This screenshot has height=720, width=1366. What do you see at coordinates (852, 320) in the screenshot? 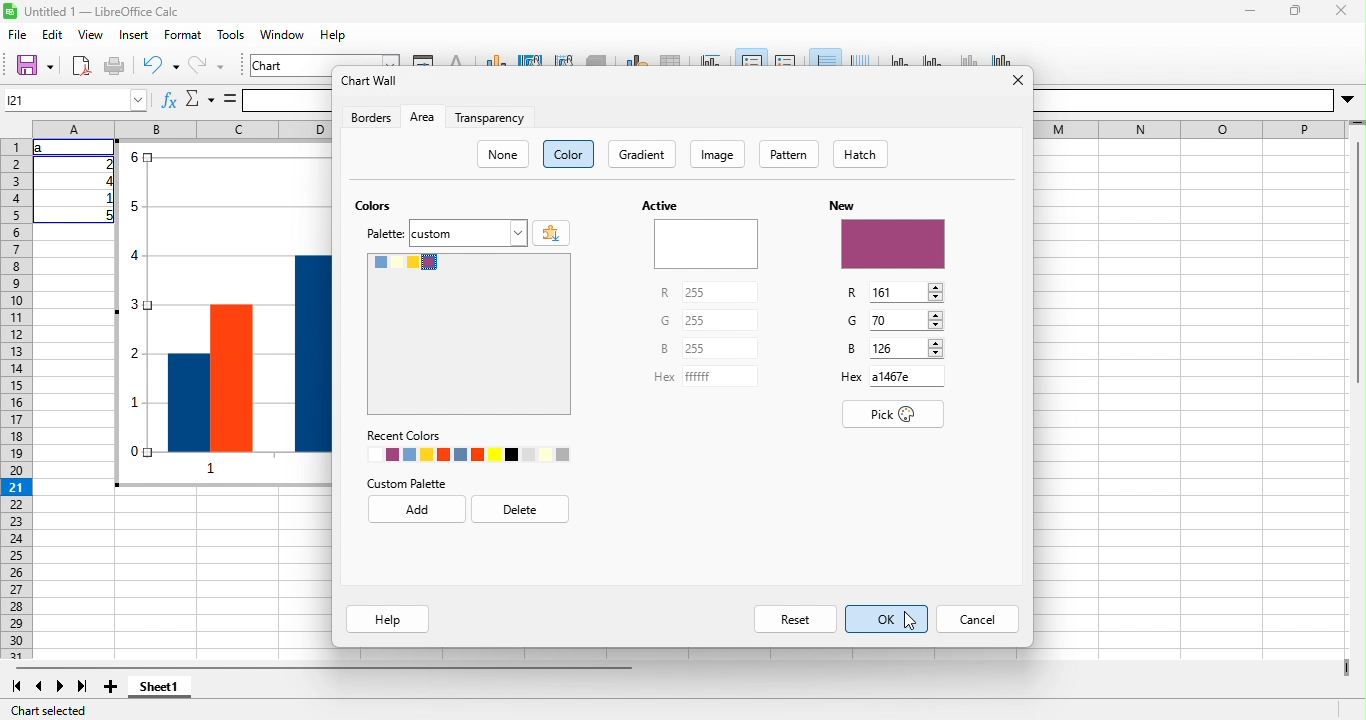
I see `G` at bounding box center [852, 320].